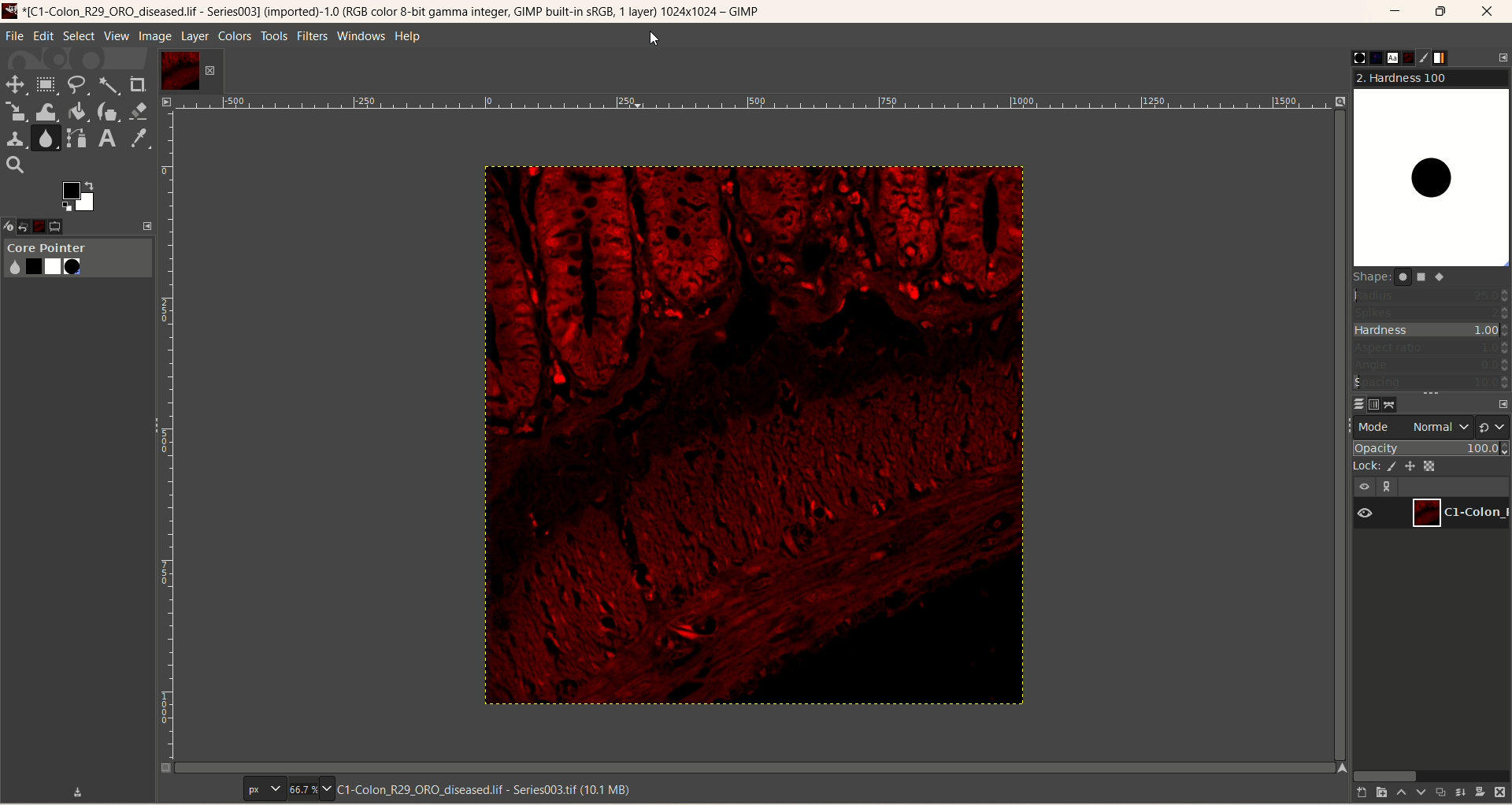 The width and height of the screenshot is (1512, 805). Describe the element at coordinates (1416, 465) in the screenshot. I see `lock position and size` at that location.